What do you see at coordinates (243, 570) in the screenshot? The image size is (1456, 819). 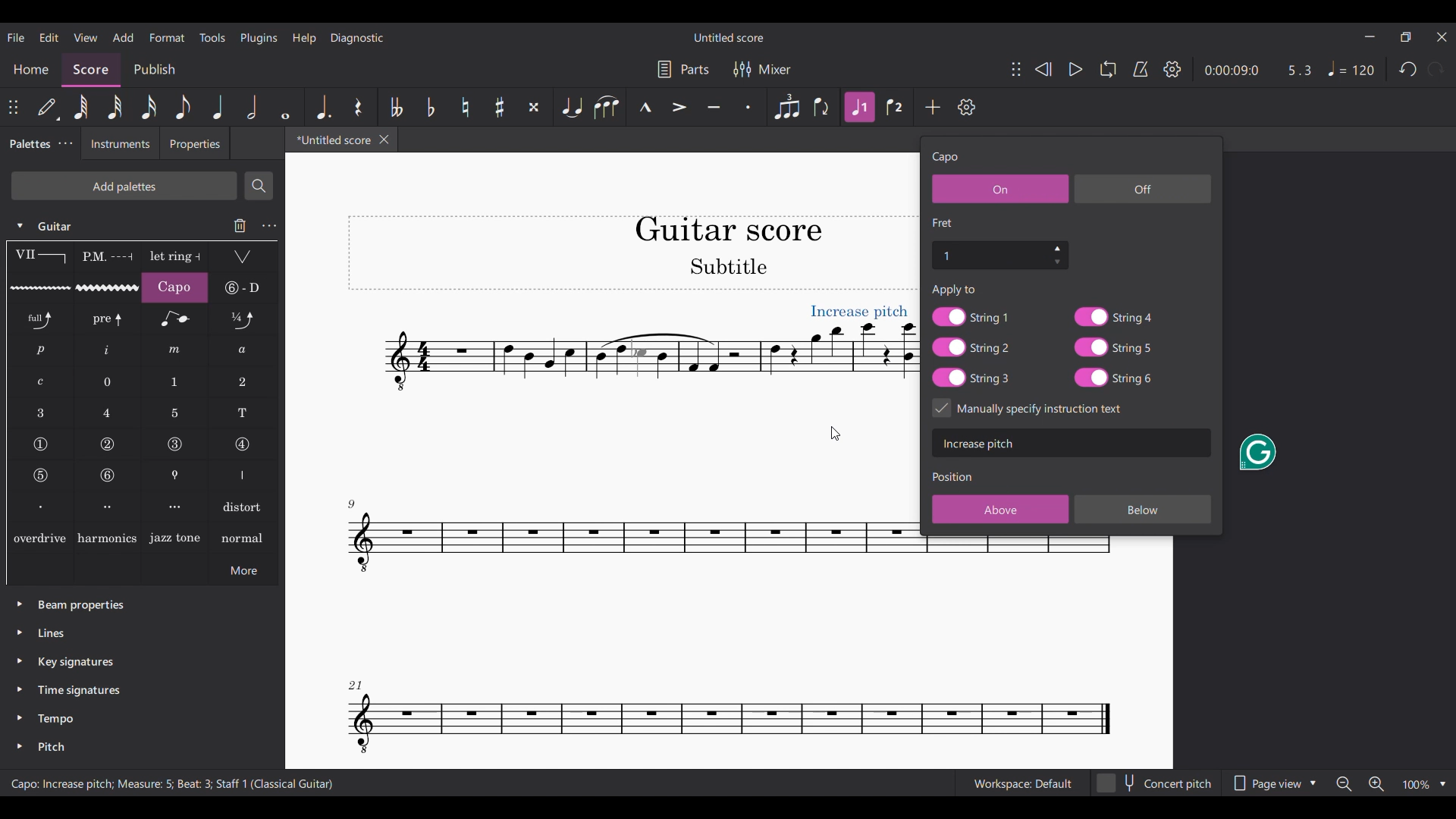 I see `More` at bounding box center [243, 570].